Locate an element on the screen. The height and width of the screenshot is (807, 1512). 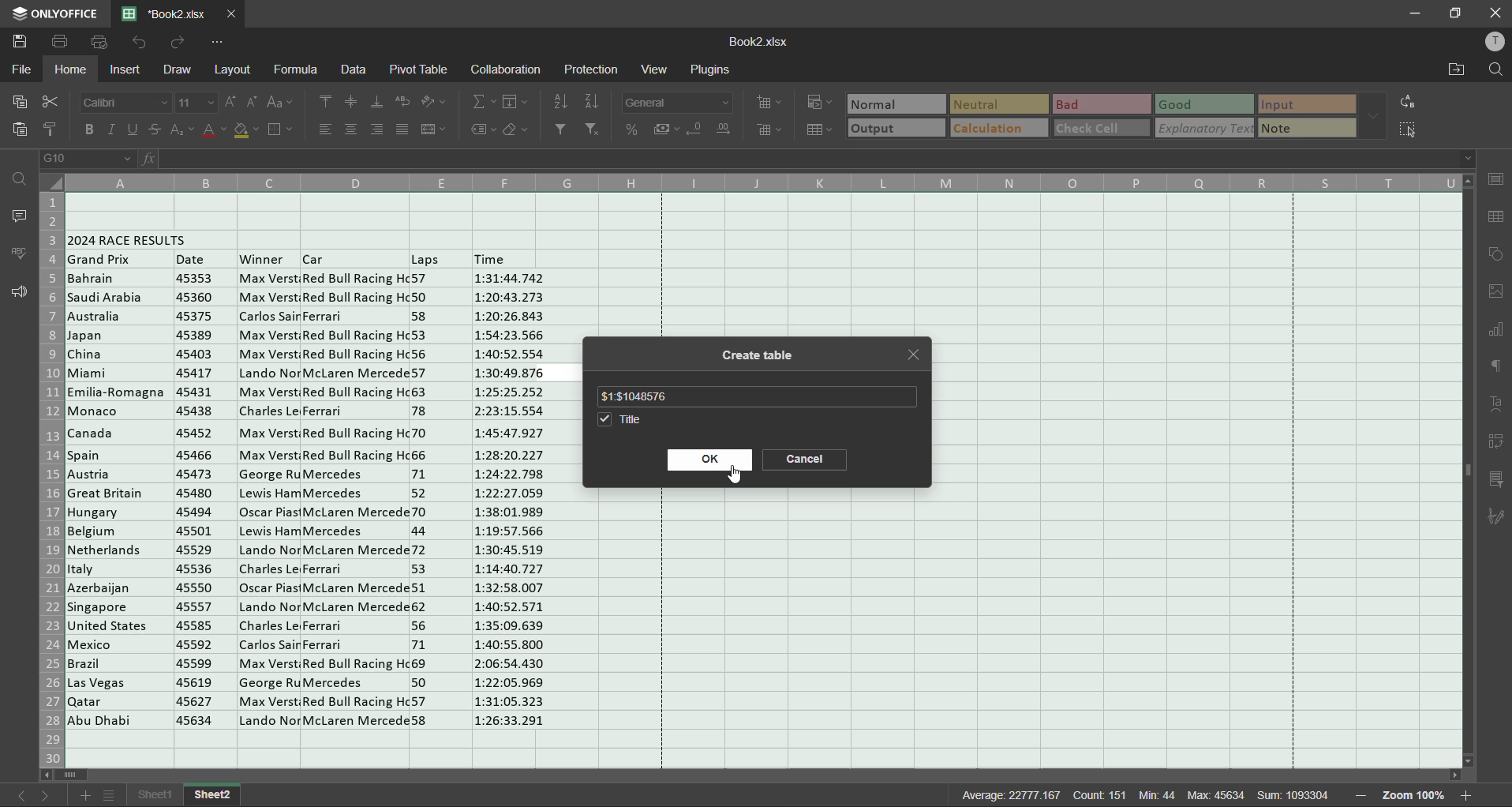
strikethrough is located at coordinates (158, 133).